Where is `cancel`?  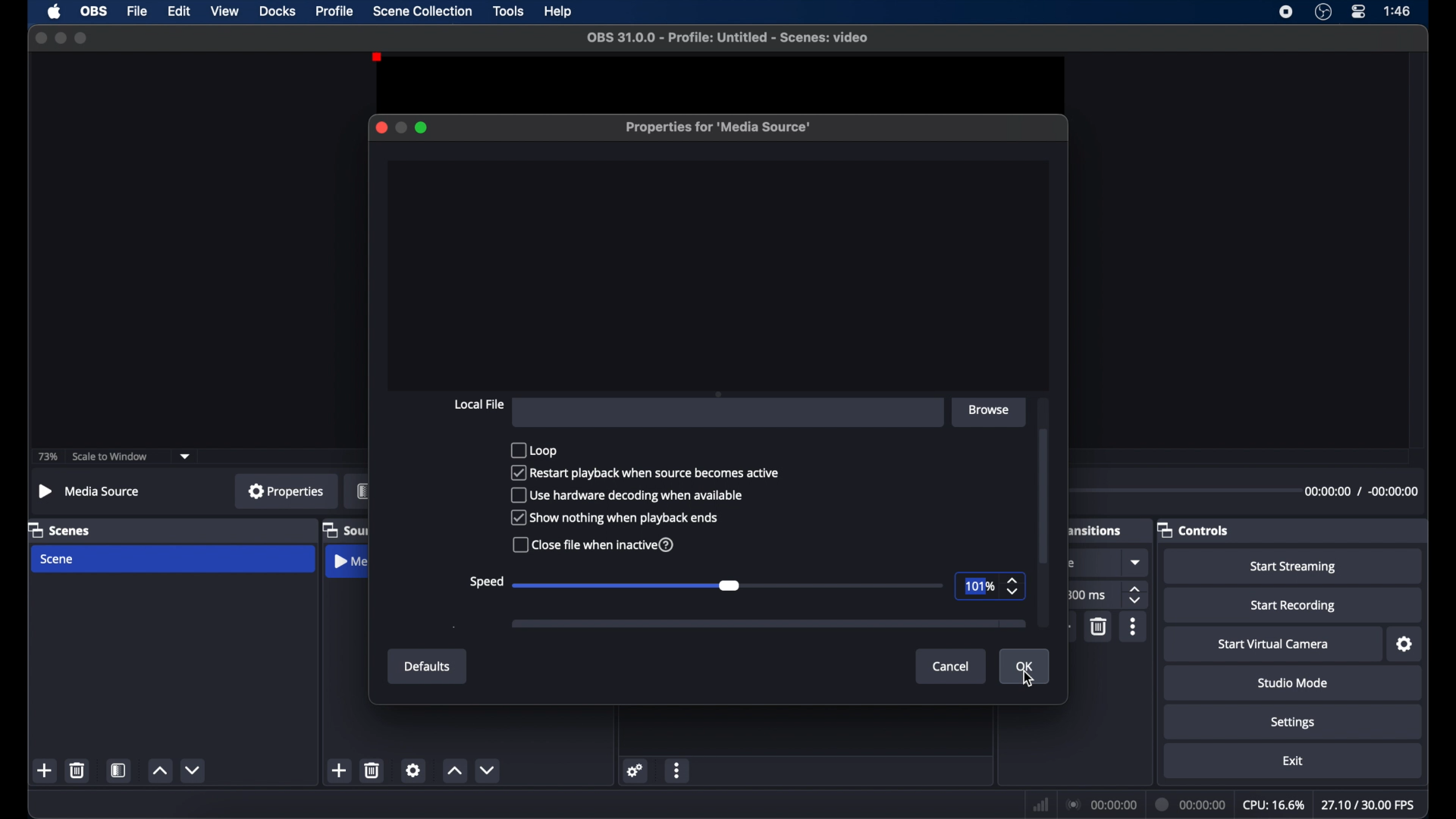
cancel is located at coordinates (952, 667).